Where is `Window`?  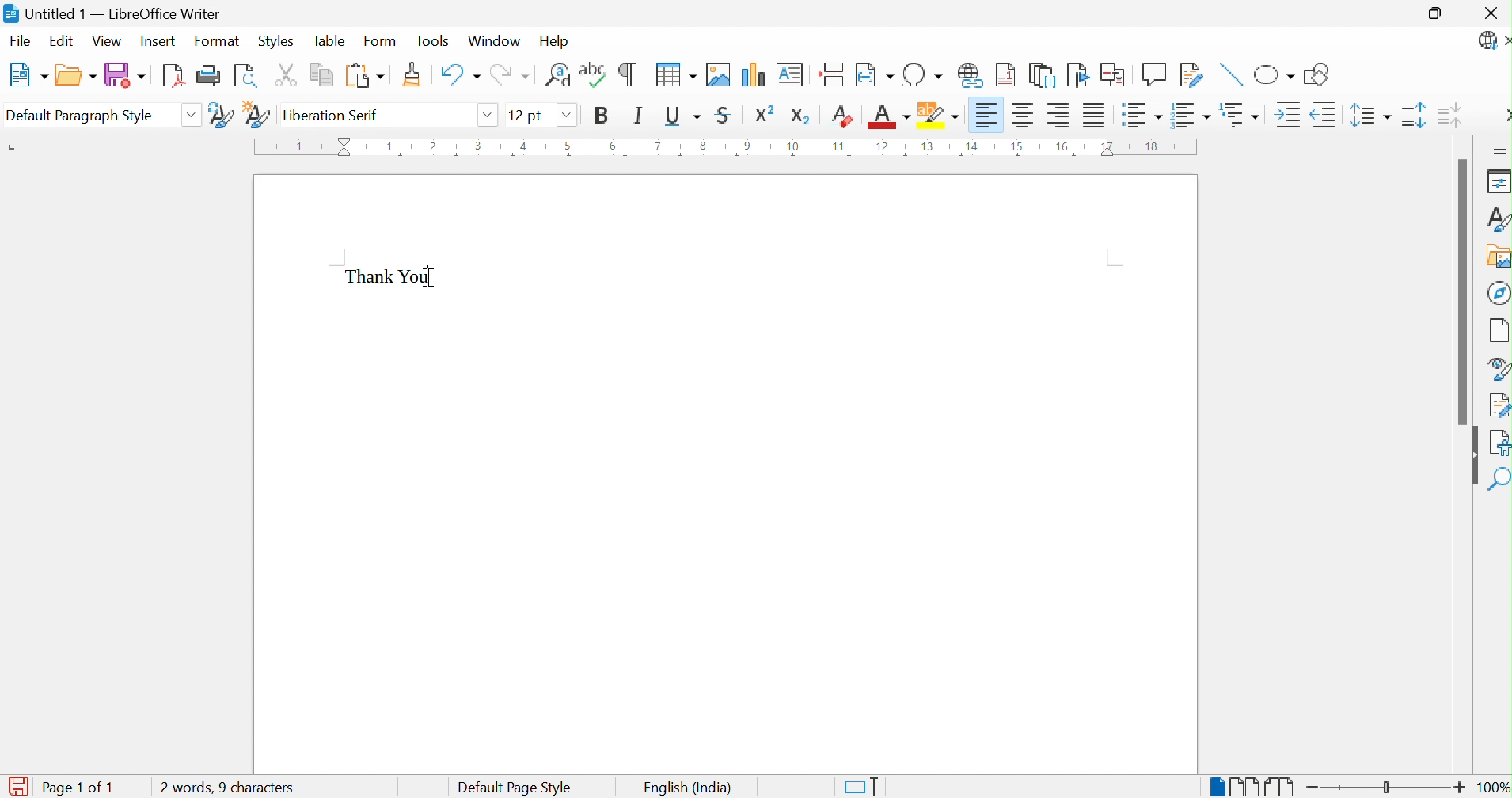
Window is located at coordinates (495, 41).